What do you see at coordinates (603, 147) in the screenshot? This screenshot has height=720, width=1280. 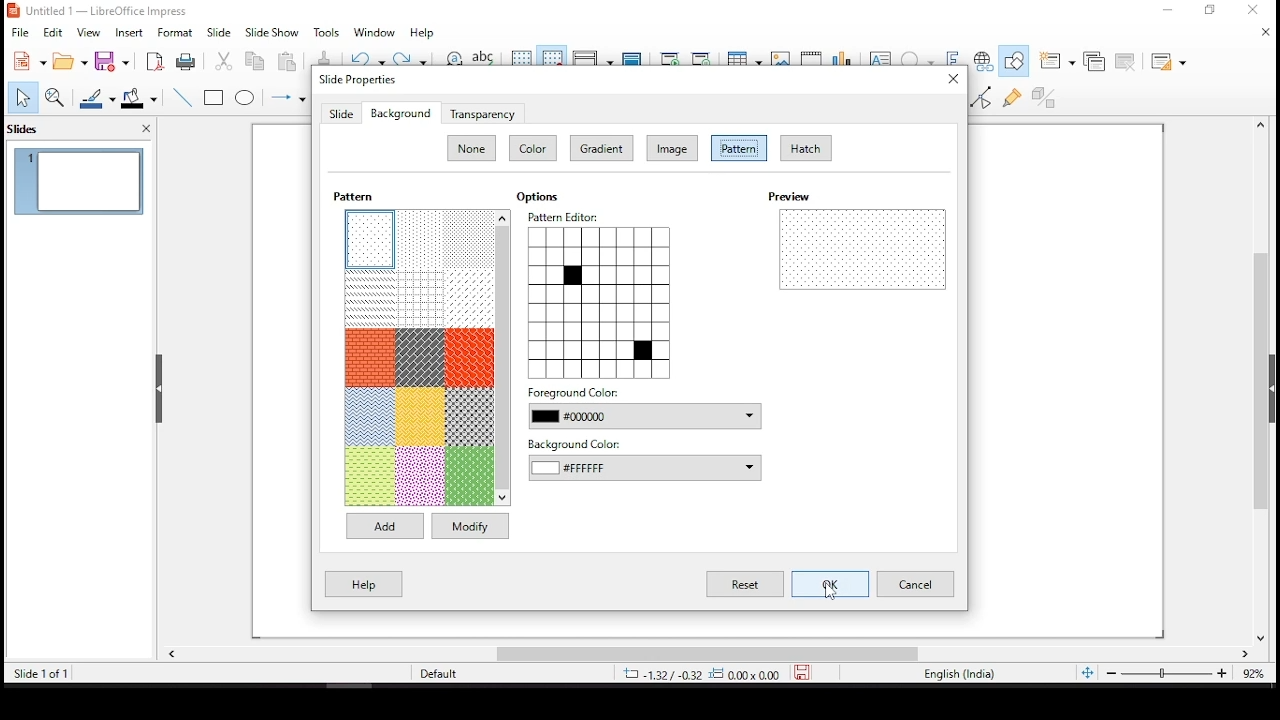 I see `gradient` at bounding box center [603, 147].